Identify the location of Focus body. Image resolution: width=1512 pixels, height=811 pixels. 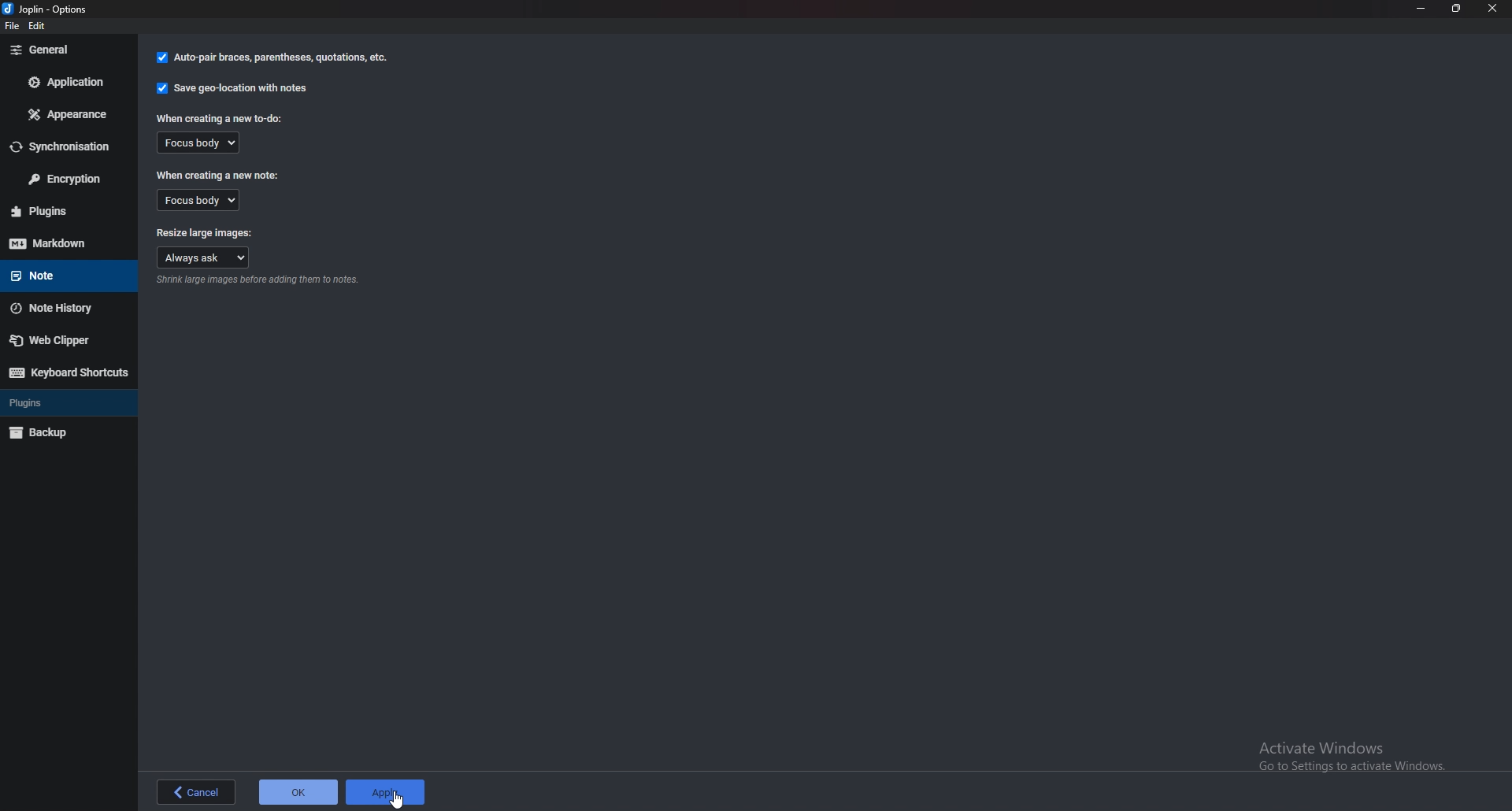
(205, 200).